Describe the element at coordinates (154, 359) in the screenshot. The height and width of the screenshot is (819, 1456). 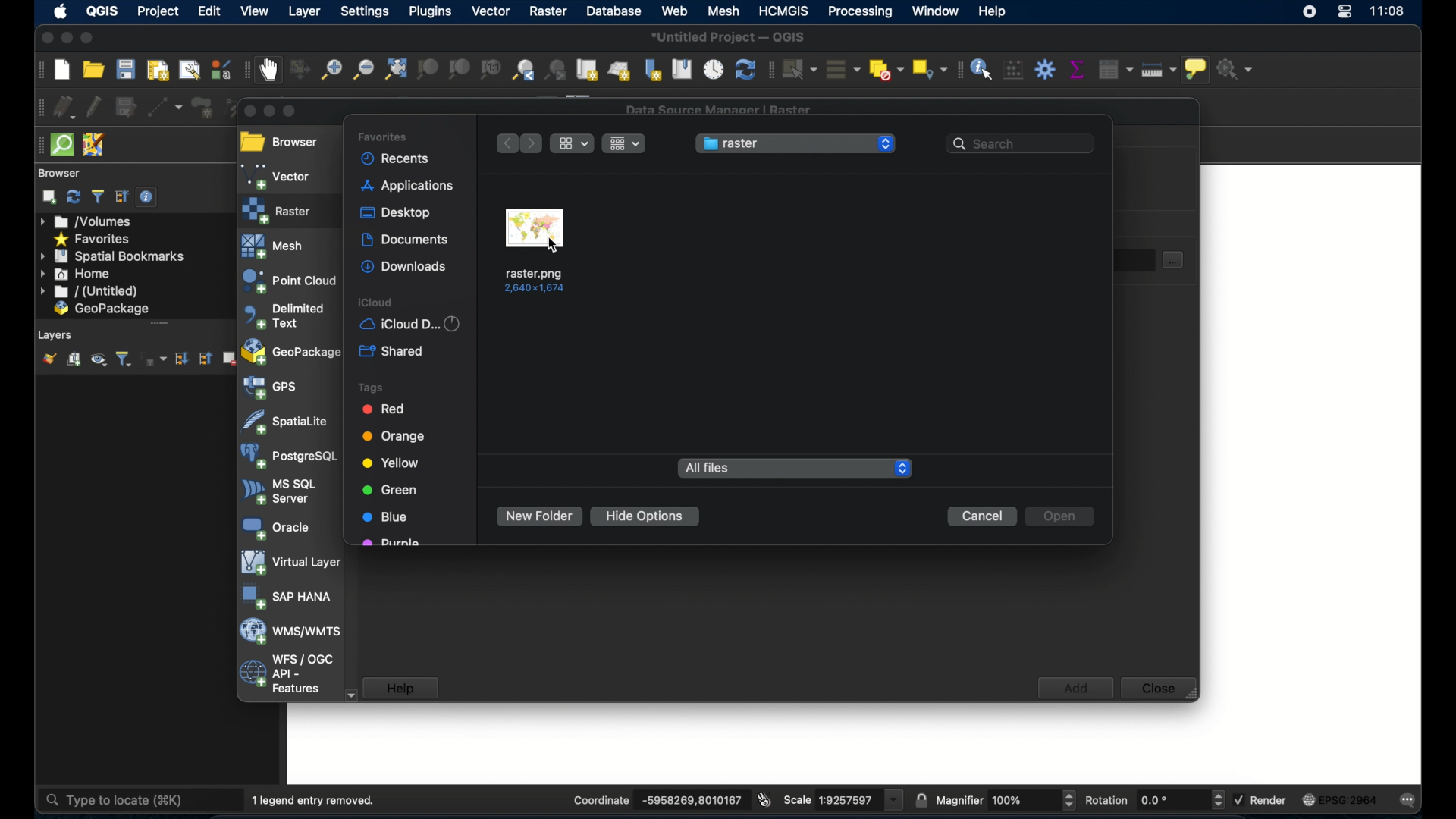
I see `filter layer by expression` at that location.